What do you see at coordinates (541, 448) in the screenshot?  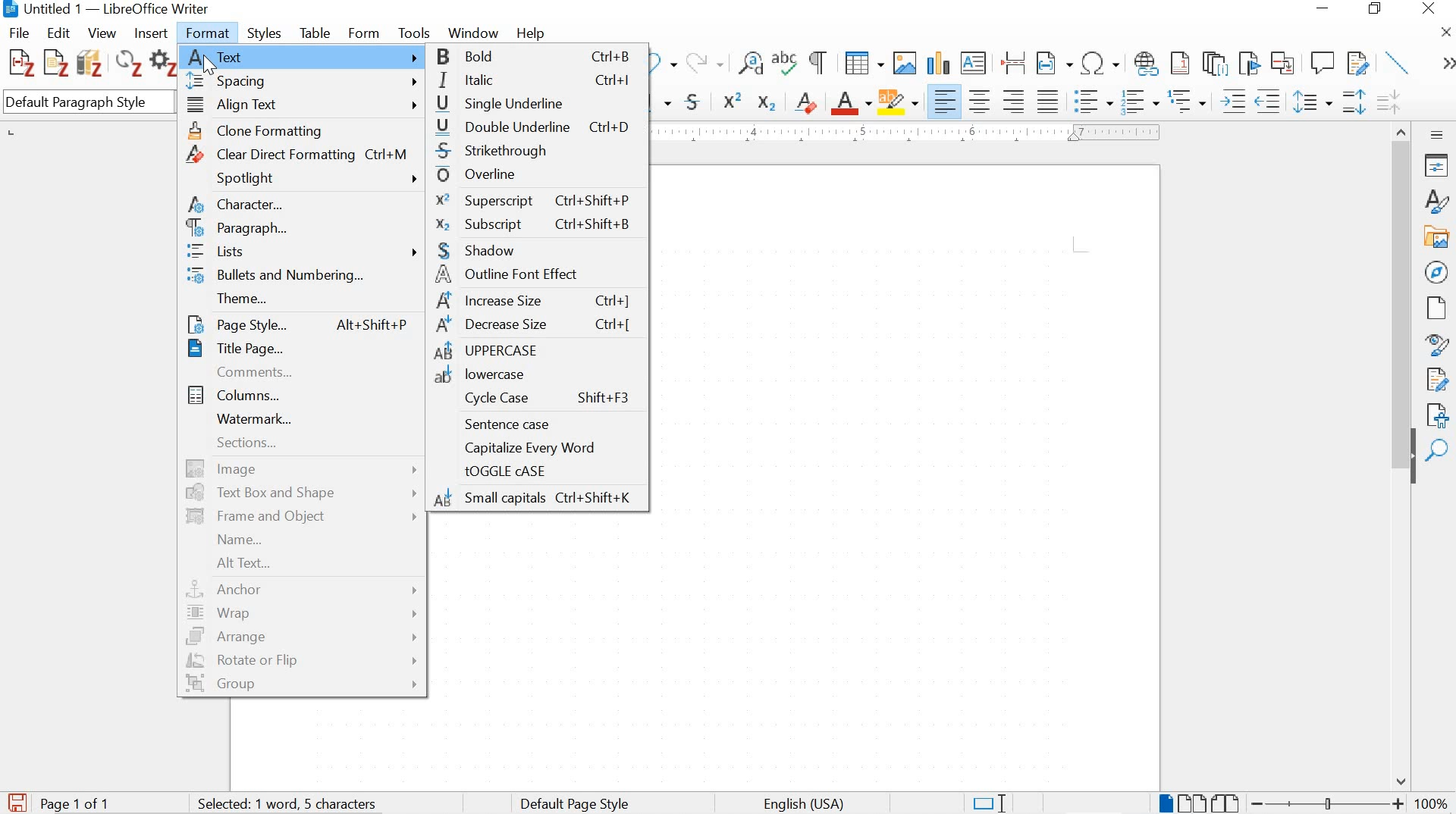 I see `capitalize every word` at bounding box center [541, 448].